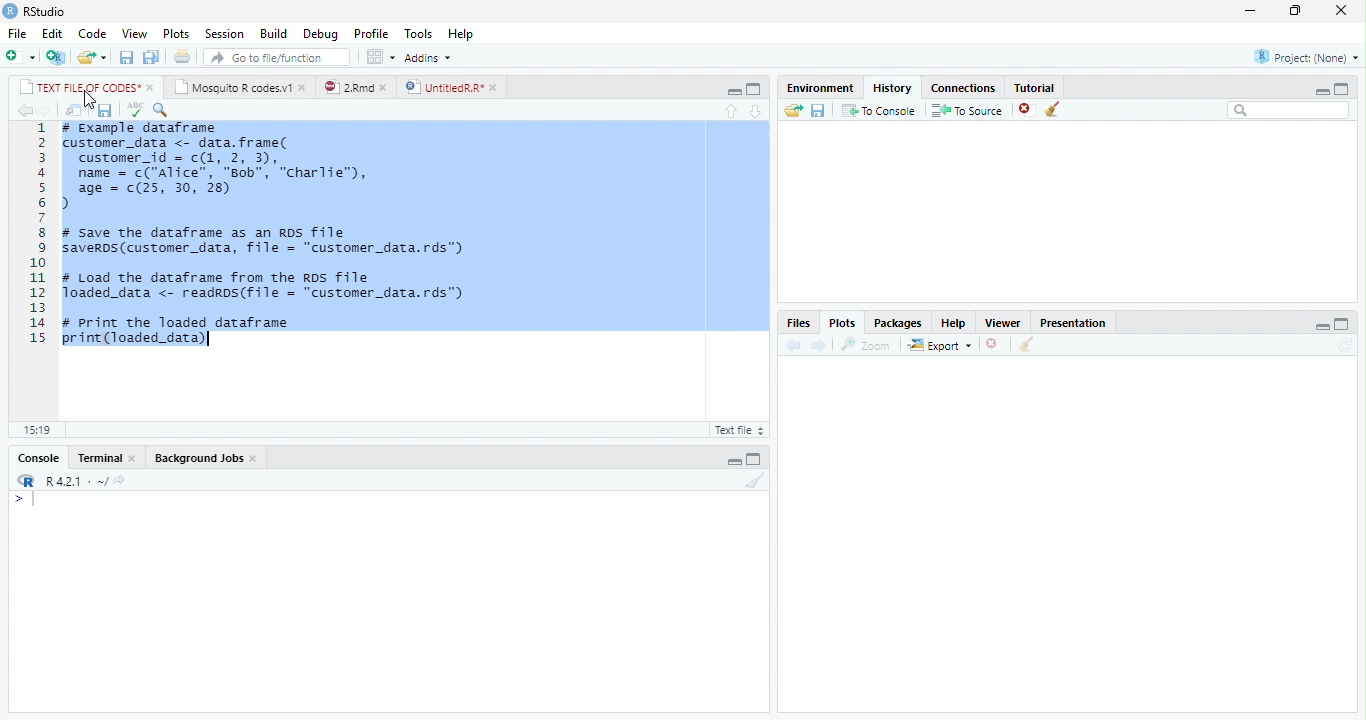  Describe the element at coordinates (151, 58) in the screenshot. I see `save all` at that location.